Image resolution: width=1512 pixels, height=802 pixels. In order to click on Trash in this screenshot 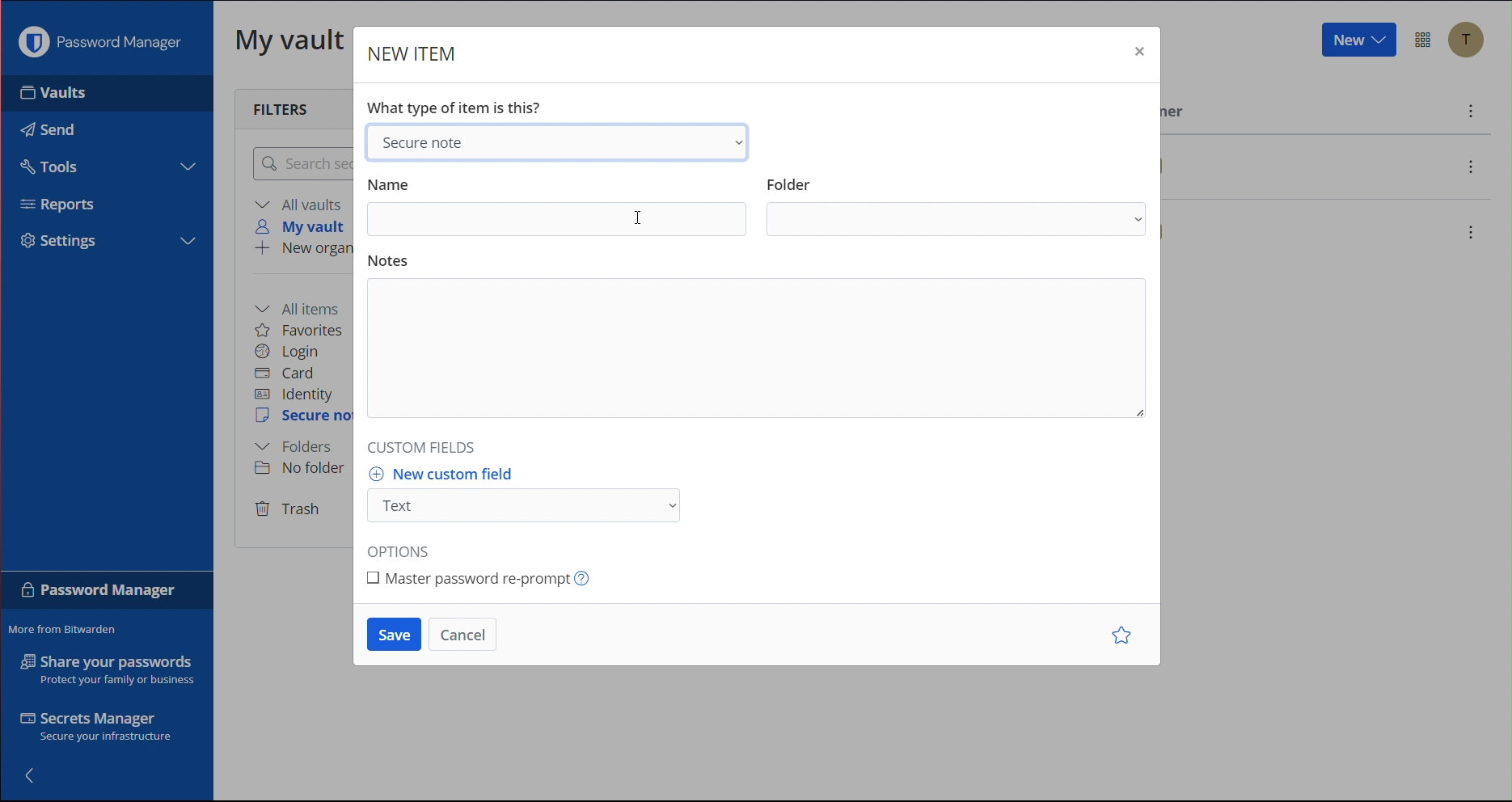, I will do `click(290, 510)`.